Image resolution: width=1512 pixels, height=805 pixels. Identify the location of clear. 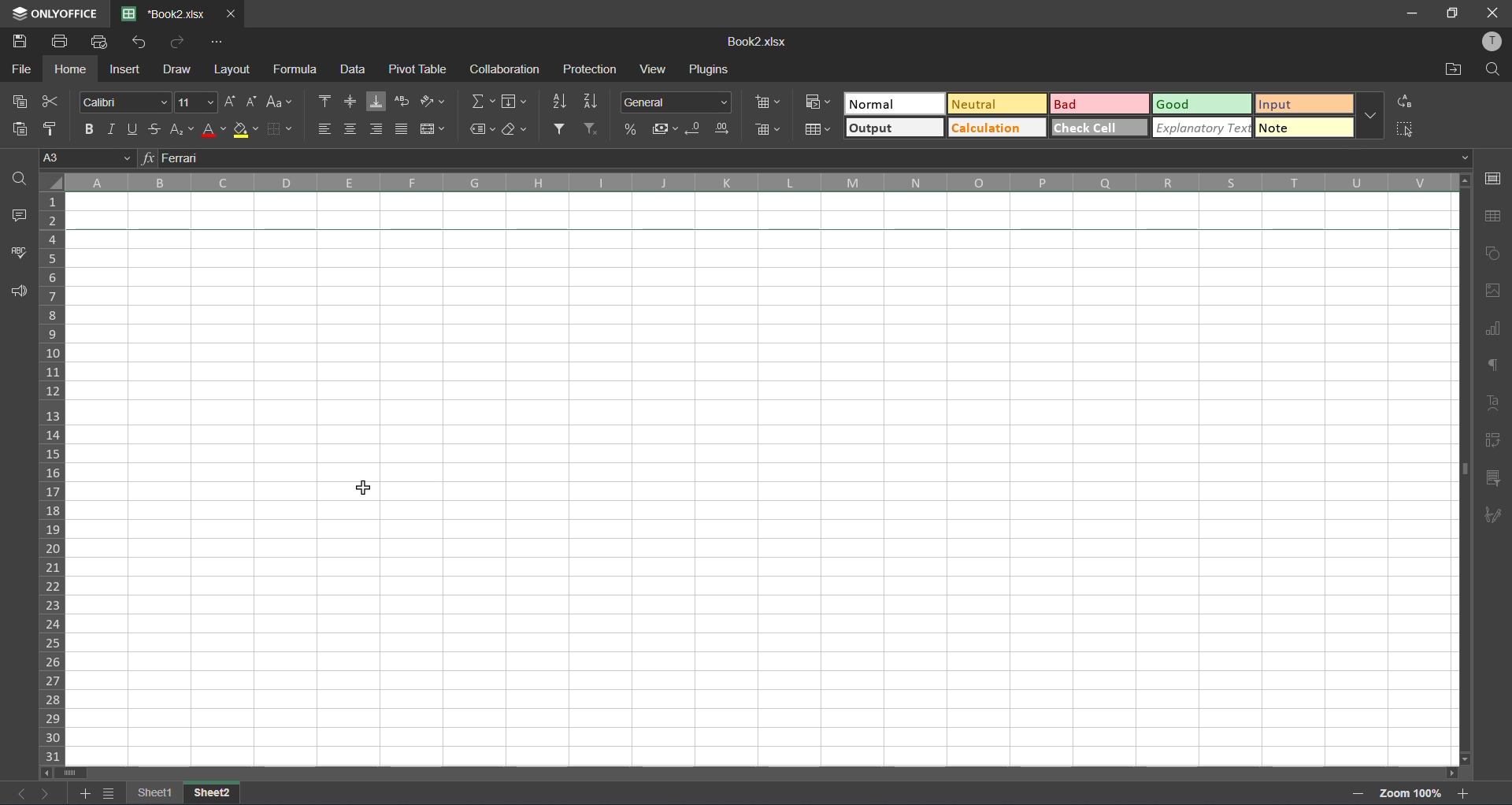
(517, 131).